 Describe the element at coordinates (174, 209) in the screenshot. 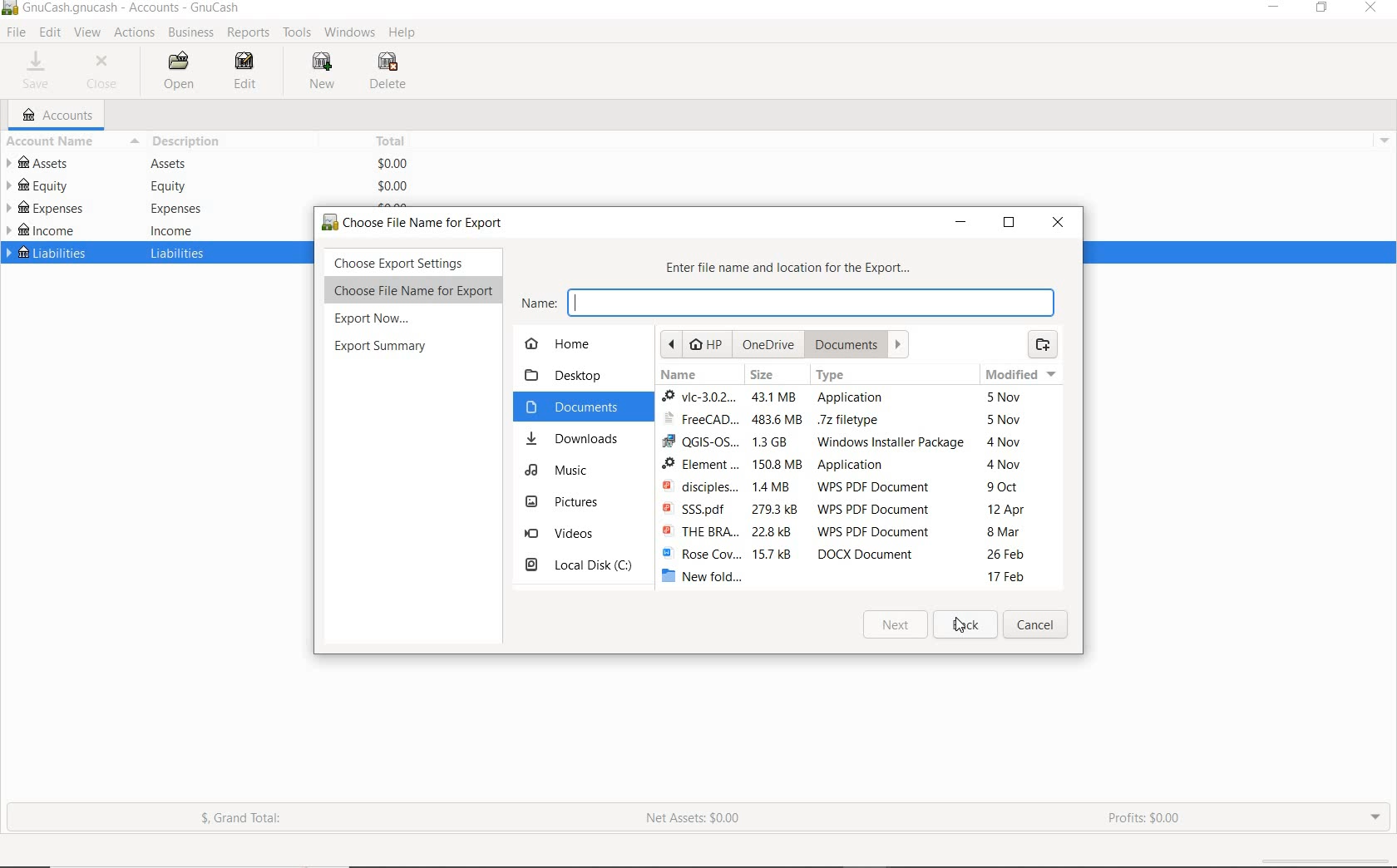

I see `expenses` at that location.